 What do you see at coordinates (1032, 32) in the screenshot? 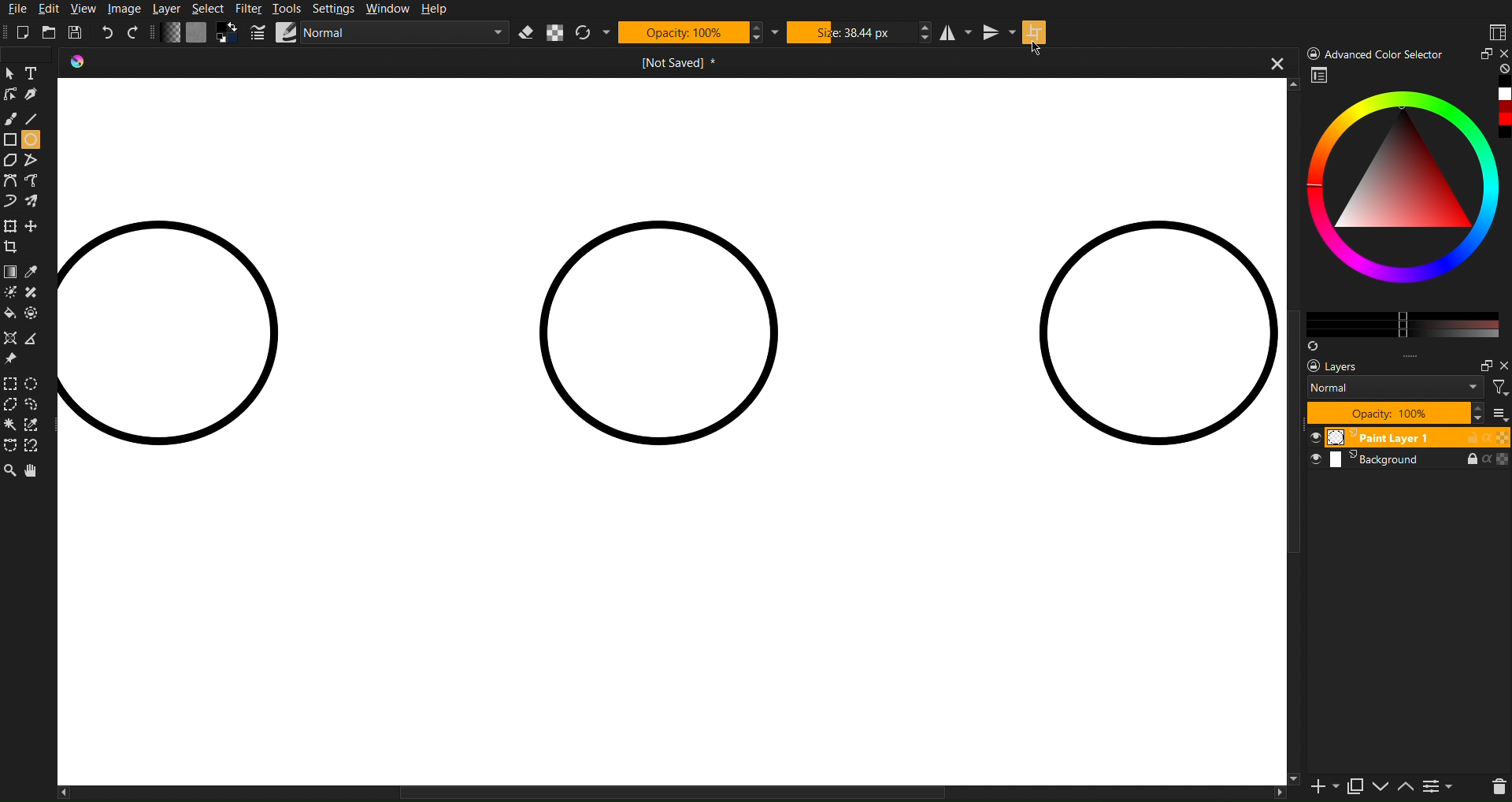
I see `Wraparound` at bounding box center [1032, 32].